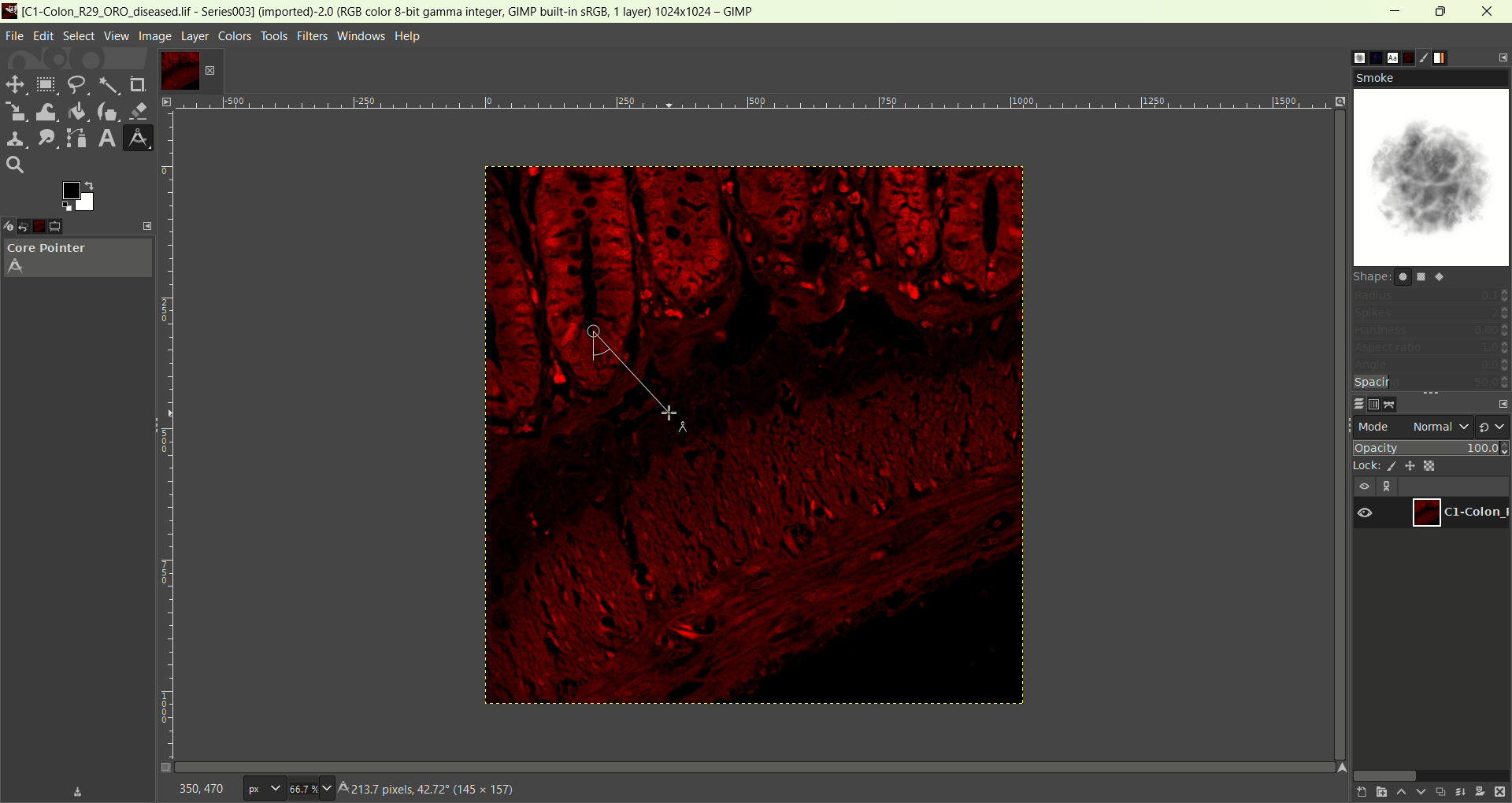 The image size is (1512, 803). What do you see at coordinates (1440, 426) in the screenshot?
I see `normal` at bounding box center [1440, 426].